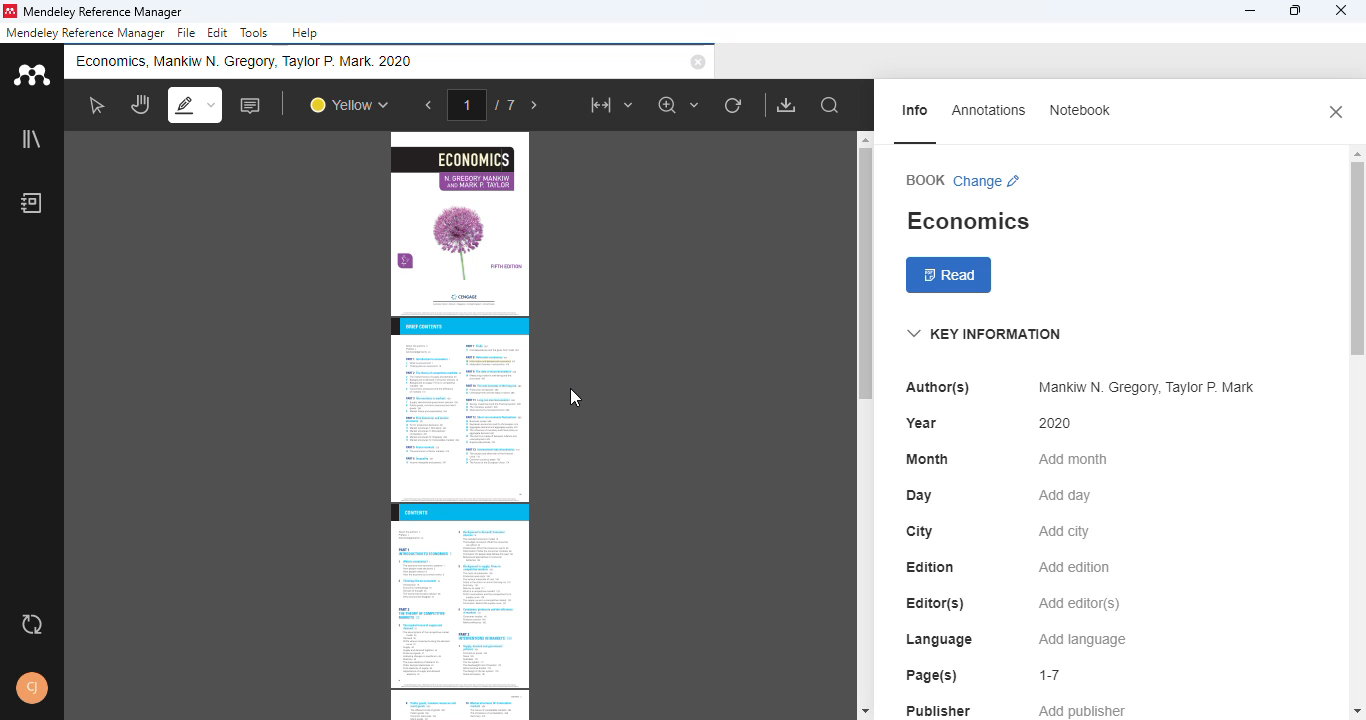 The height and width of the screenshot is (720, 1366). I want to click on add day, so click(1065, 496).